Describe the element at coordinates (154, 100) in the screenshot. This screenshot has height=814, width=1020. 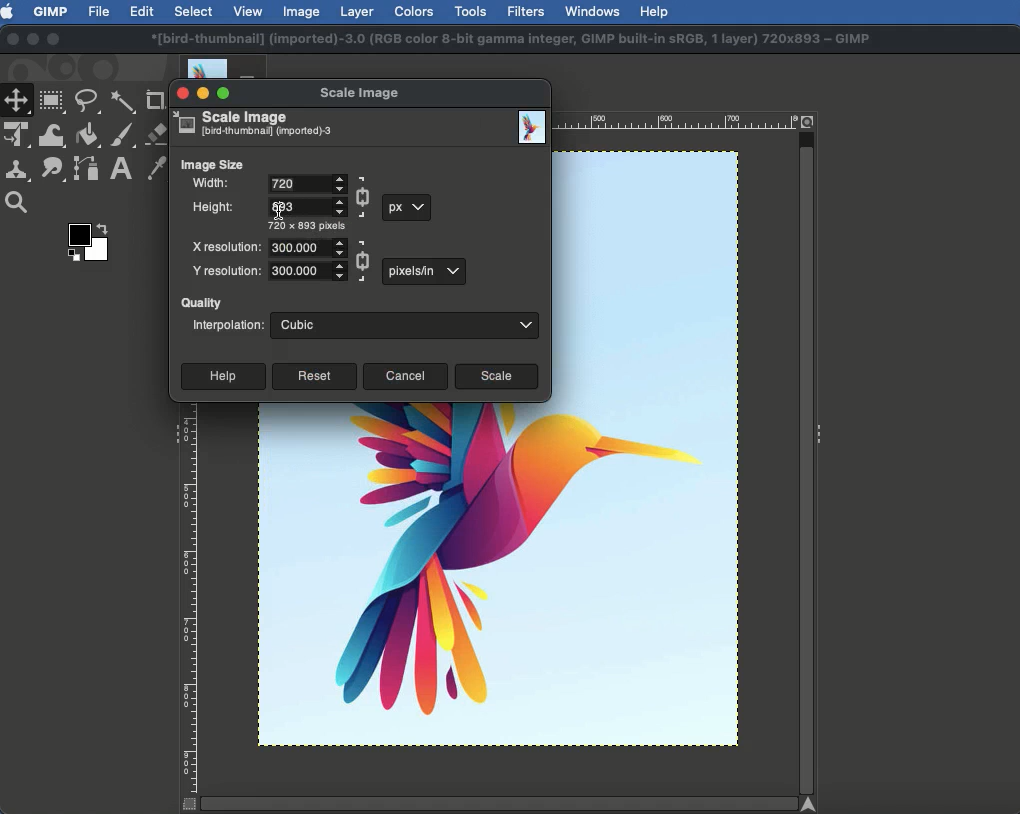
I see `Crop` at that location.